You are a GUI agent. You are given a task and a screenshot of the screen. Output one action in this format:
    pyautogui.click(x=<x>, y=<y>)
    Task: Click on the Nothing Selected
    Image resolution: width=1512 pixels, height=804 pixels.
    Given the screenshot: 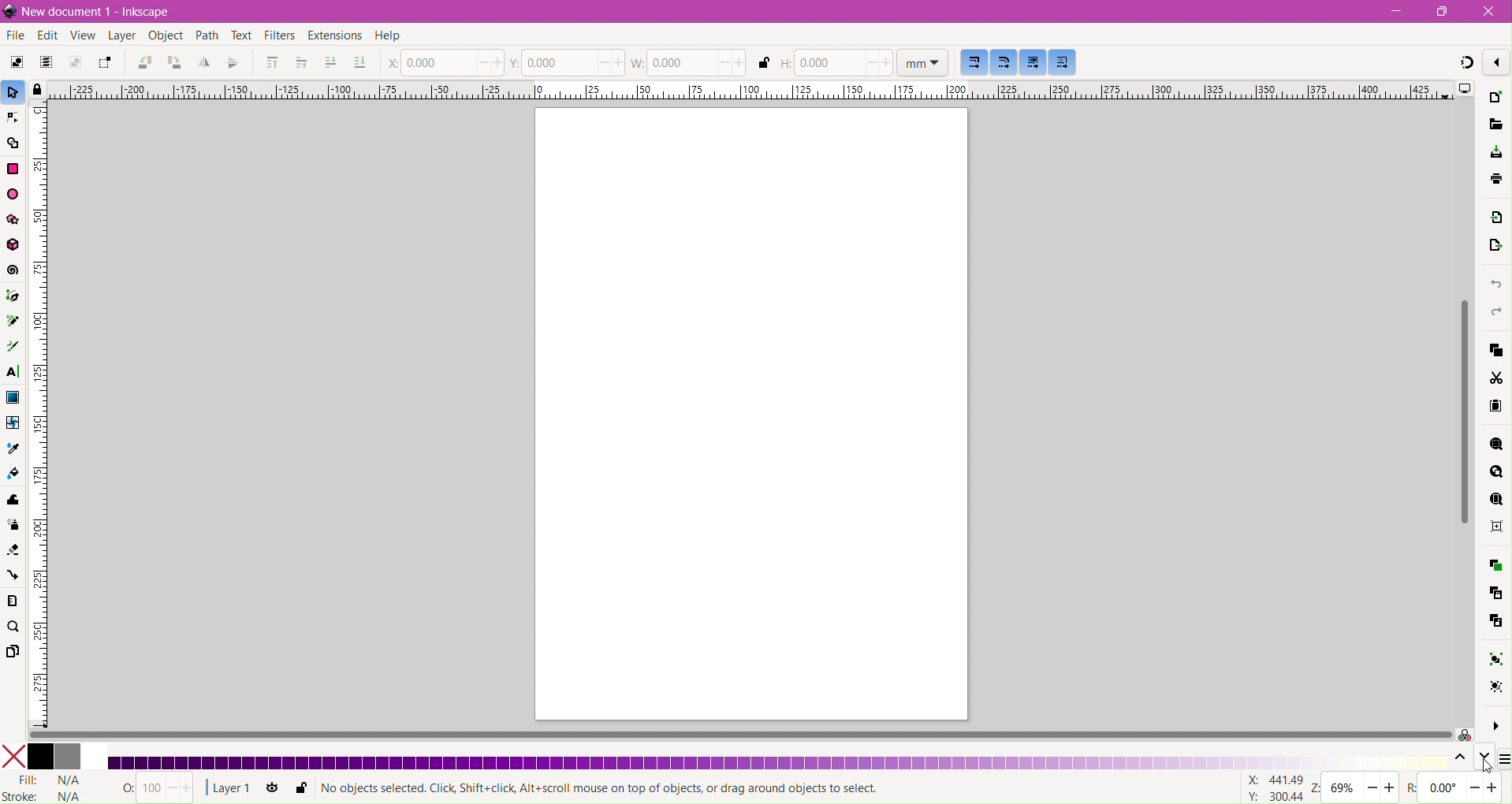 What is the action you would take?
    pyautogui.click(x=151, y=789)
    